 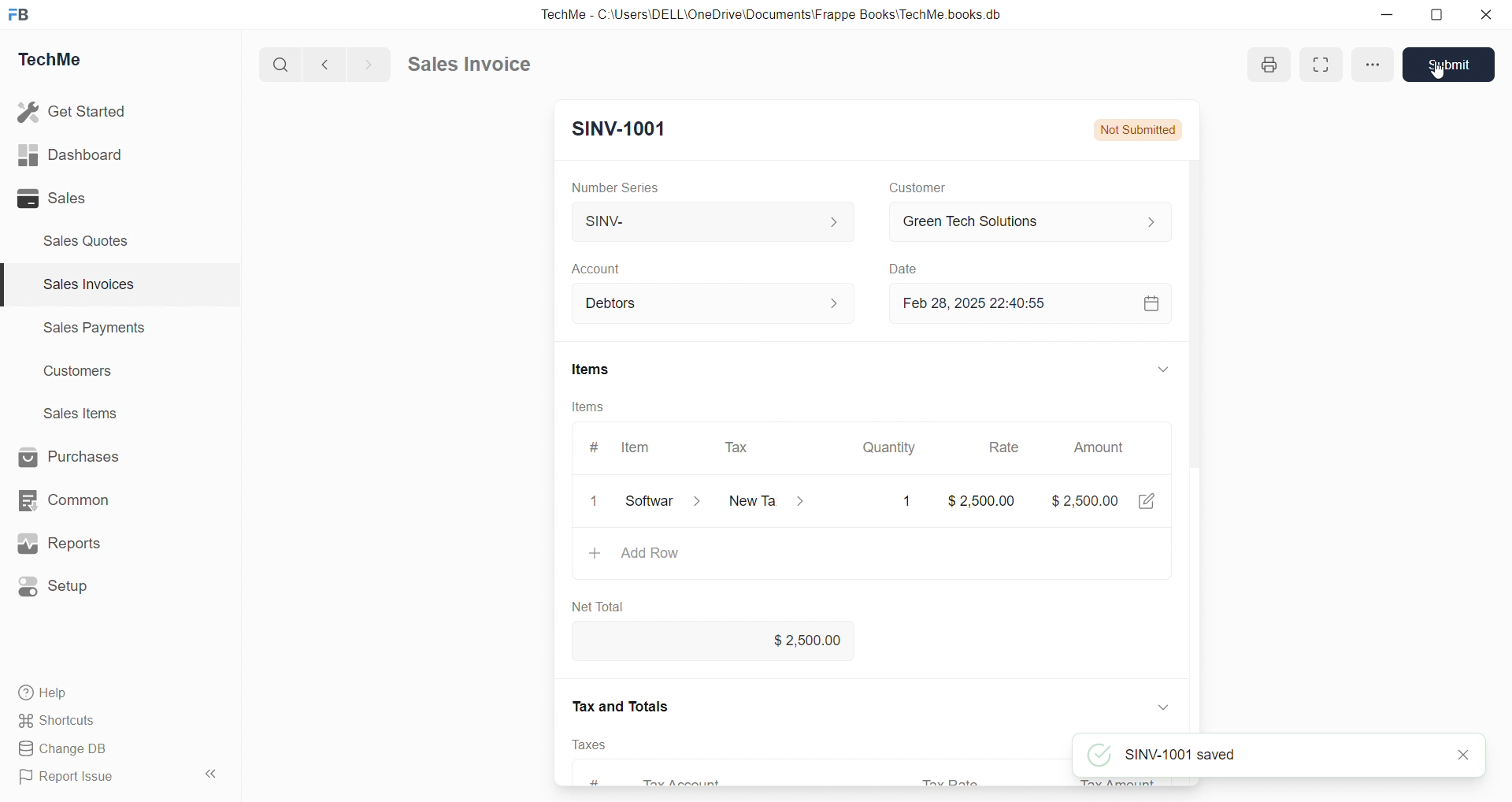 What do you see at coordinates (87, 241) in the screenshot?
I see `Sales Quotes` at bounding box center [87, 241].